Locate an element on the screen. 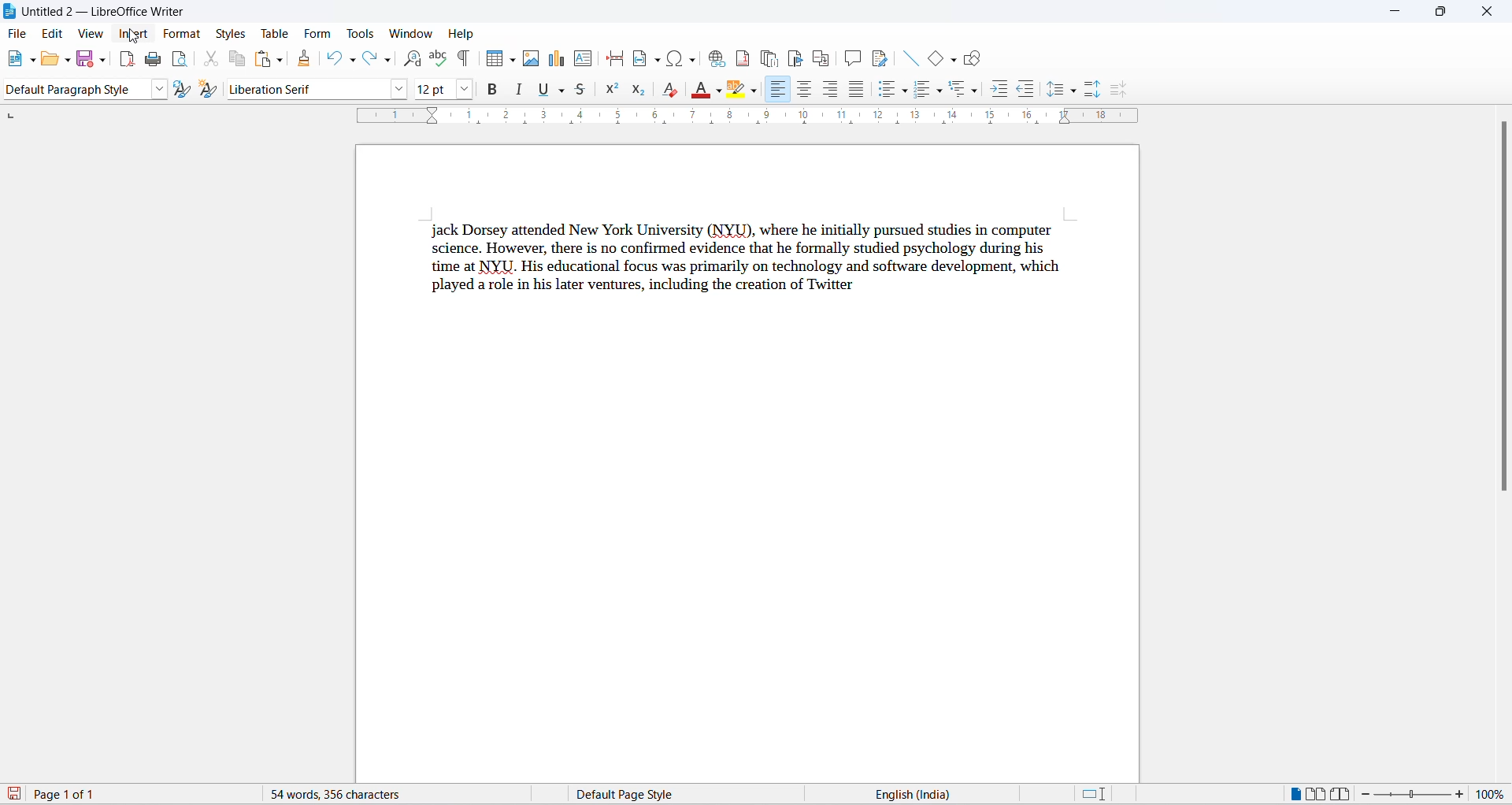  standard selection is located at coordinates (1094, 794).